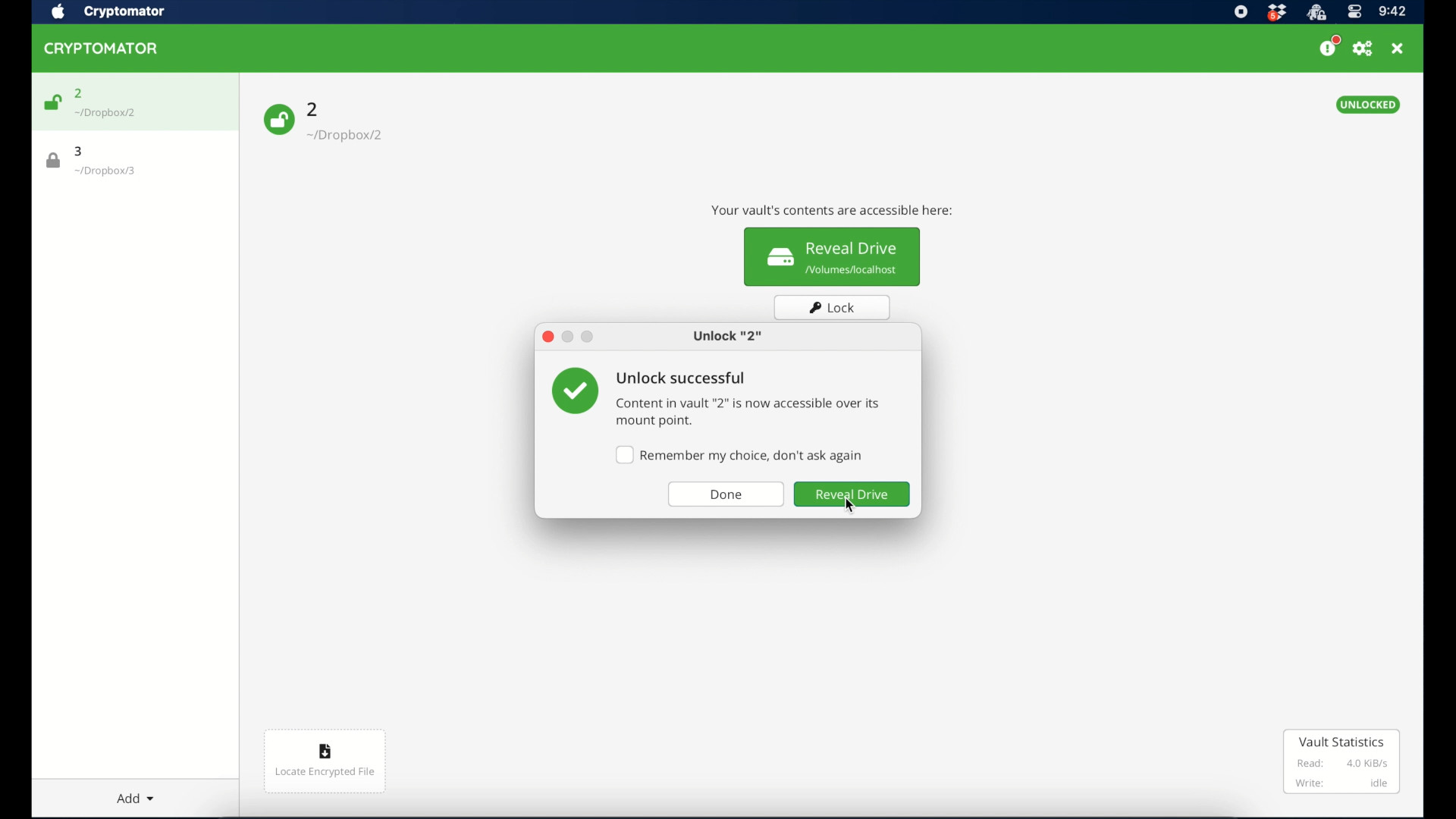 Image resolution: width=1456 pixels, height=819 pixels. I want to click on unlocked, so click(1367, 105).